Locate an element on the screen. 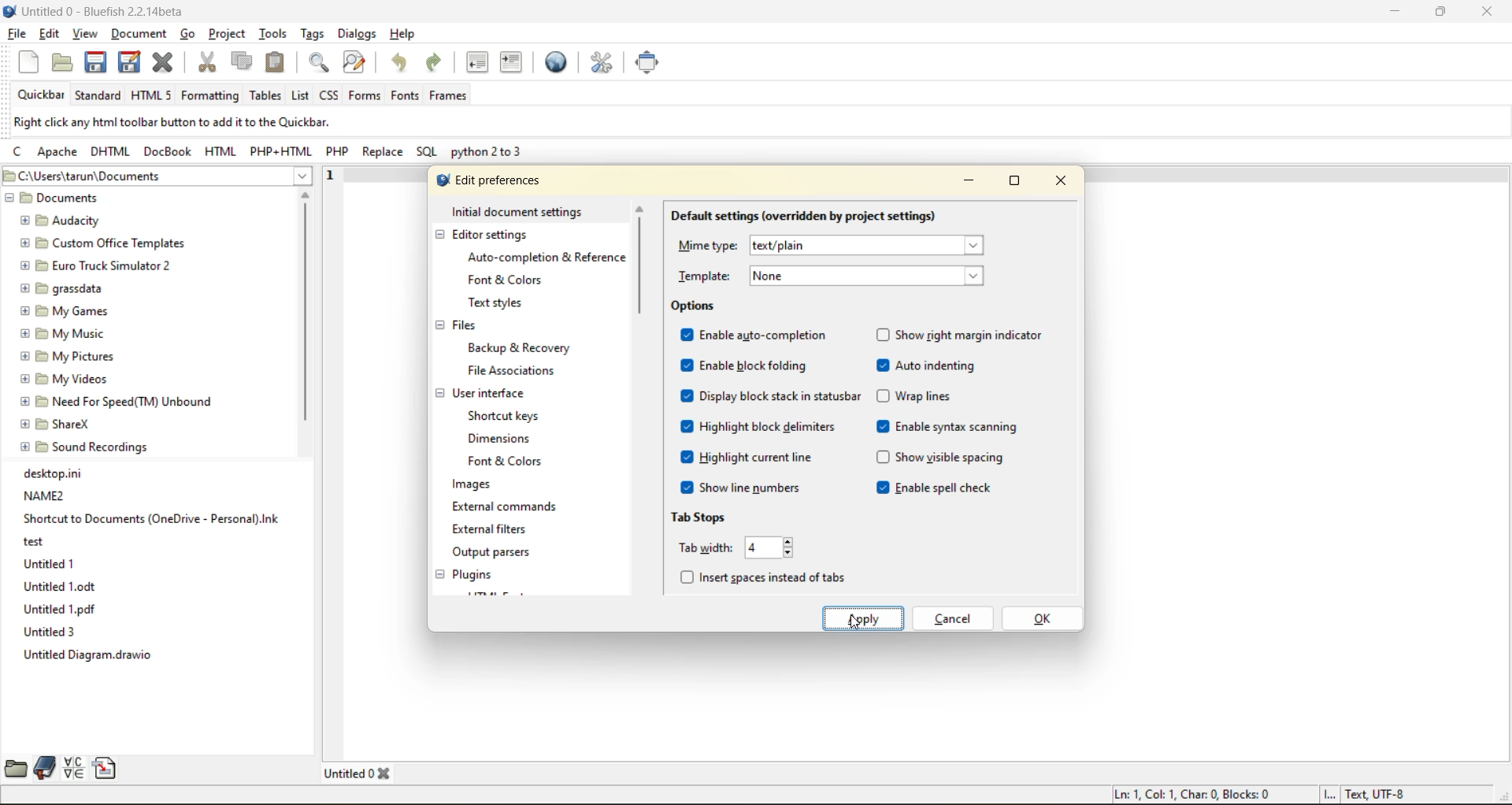 Image resolution: width=1512 pixels, height=805 pixels. bookmarks is located at coordinates (43, 768).